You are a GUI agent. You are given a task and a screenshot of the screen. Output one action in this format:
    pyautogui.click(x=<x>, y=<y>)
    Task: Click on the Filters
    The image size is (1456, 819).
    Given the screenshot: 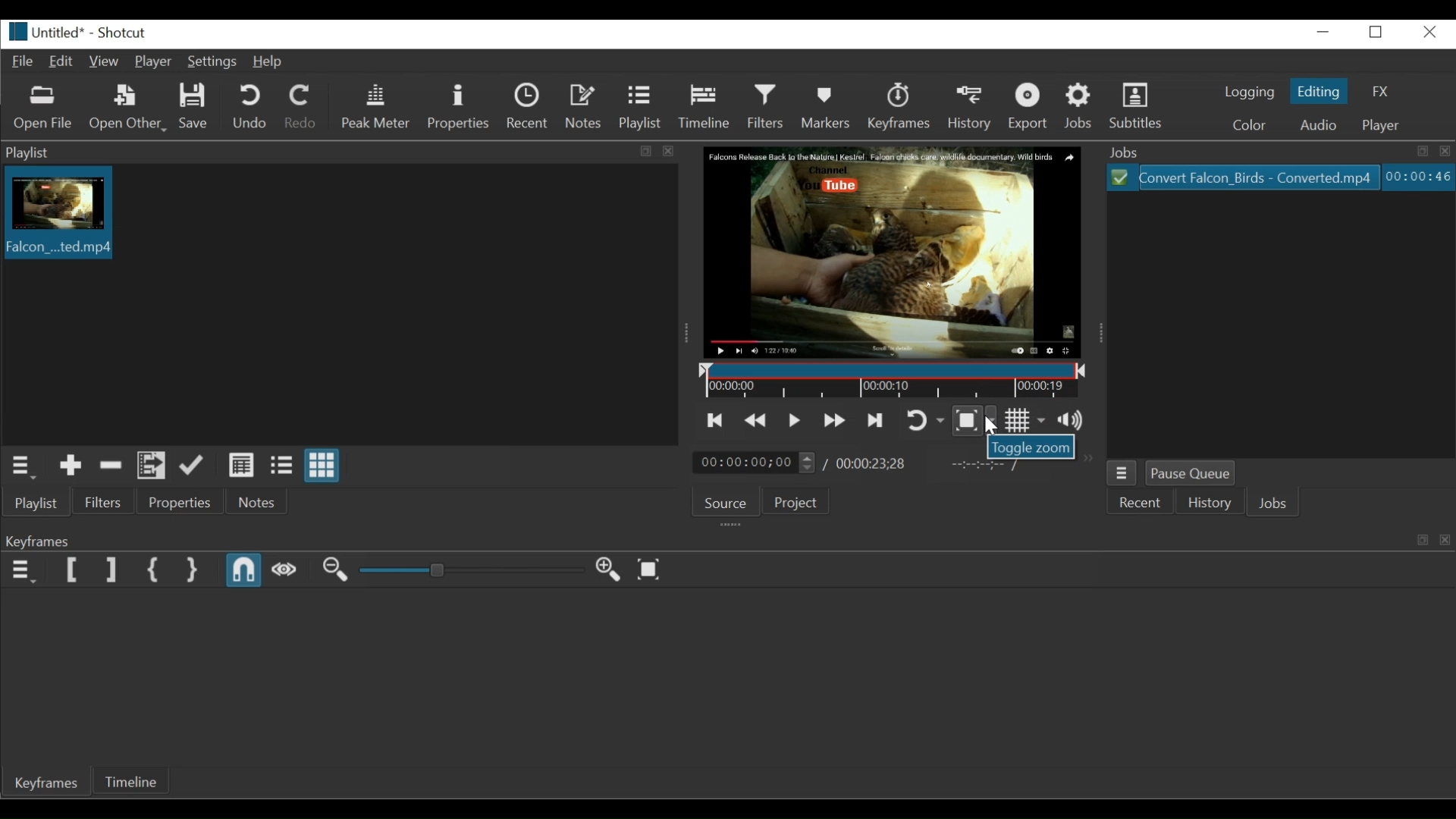 What is the action you would take?
    pyautogui.click(x=768, y=106)
    